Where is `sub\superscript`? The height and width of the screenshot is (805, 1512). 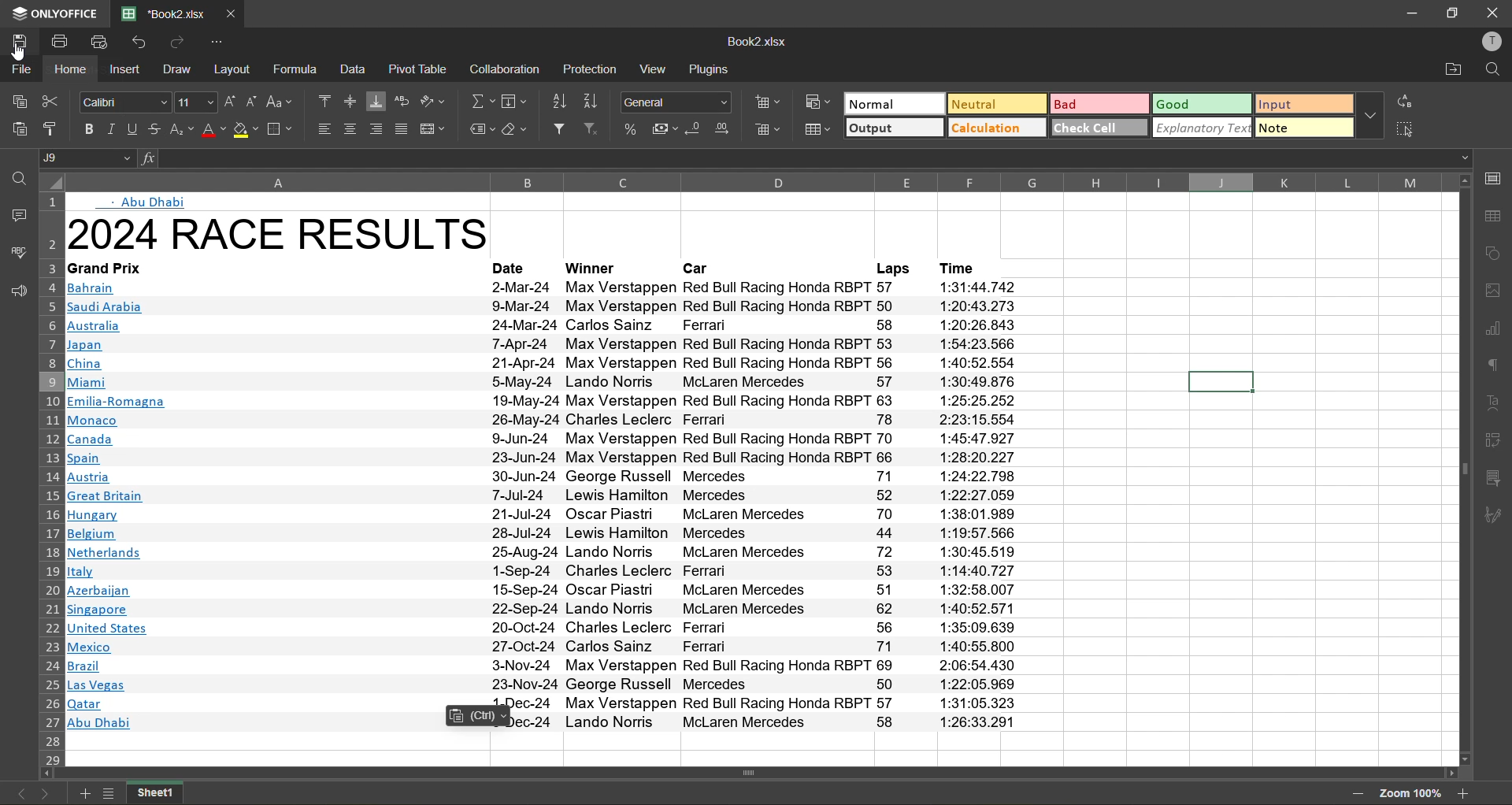 sub\superscript is located at coordinates (183, 129).